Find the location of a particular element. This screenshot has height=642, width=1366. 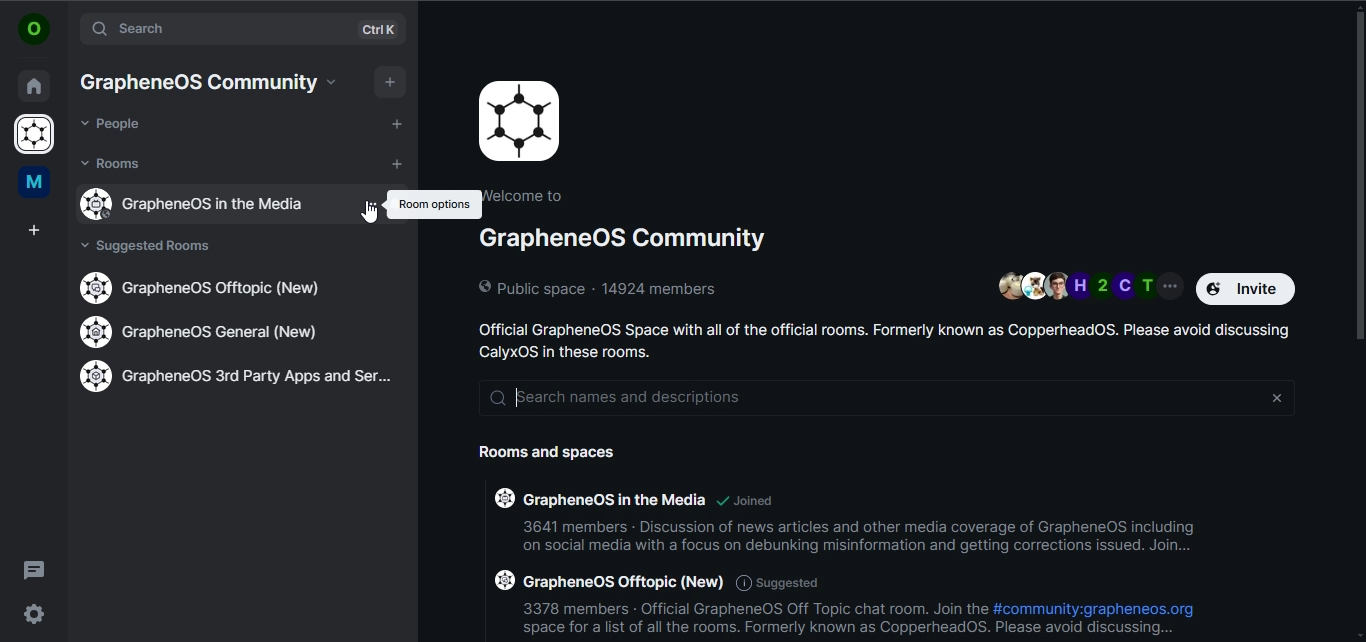

#community:grapheneoss.org is located at coordinates (1099, 608).